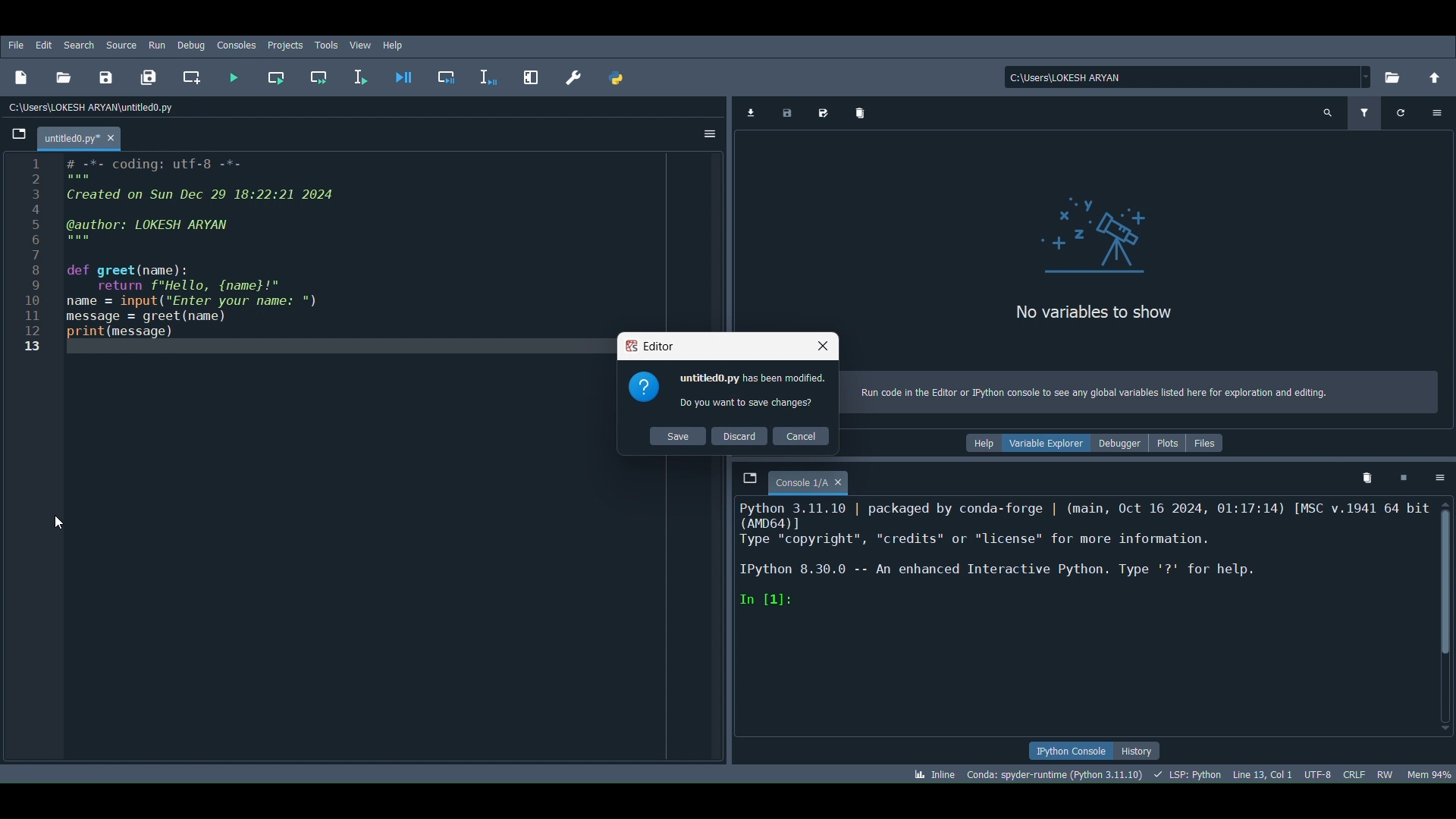 Image resolution: width=1456 pixels, height=819 pixels. What do you see at coordinates (934, 774) in the screenshot?
I see `Click to toggle between inline and interactive Matplotlib plotting` at bounding box center [934, 774].